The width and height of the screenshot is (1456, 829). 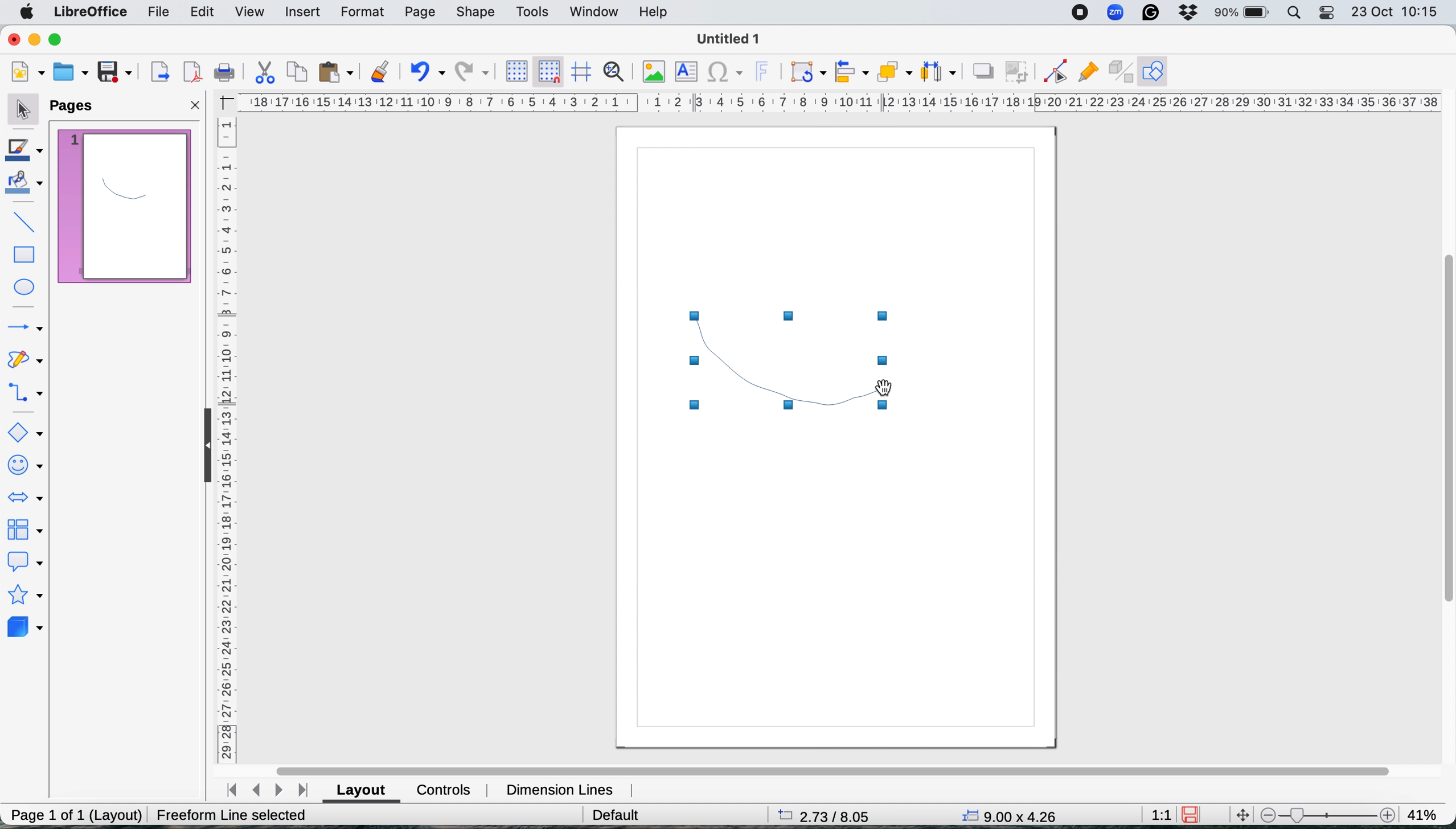 I want to click on toggle extrusions, so click(x=1119, y=71).